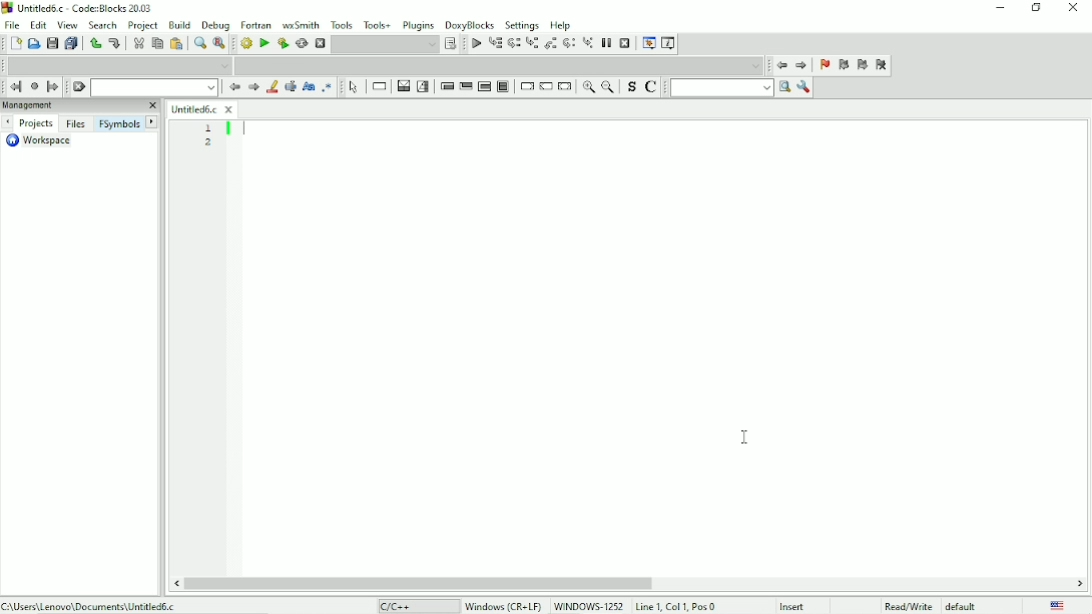  What do you see at coordinates (403, 87) in the screenshot?
I see `Decision` at bounding box center [403, 87].